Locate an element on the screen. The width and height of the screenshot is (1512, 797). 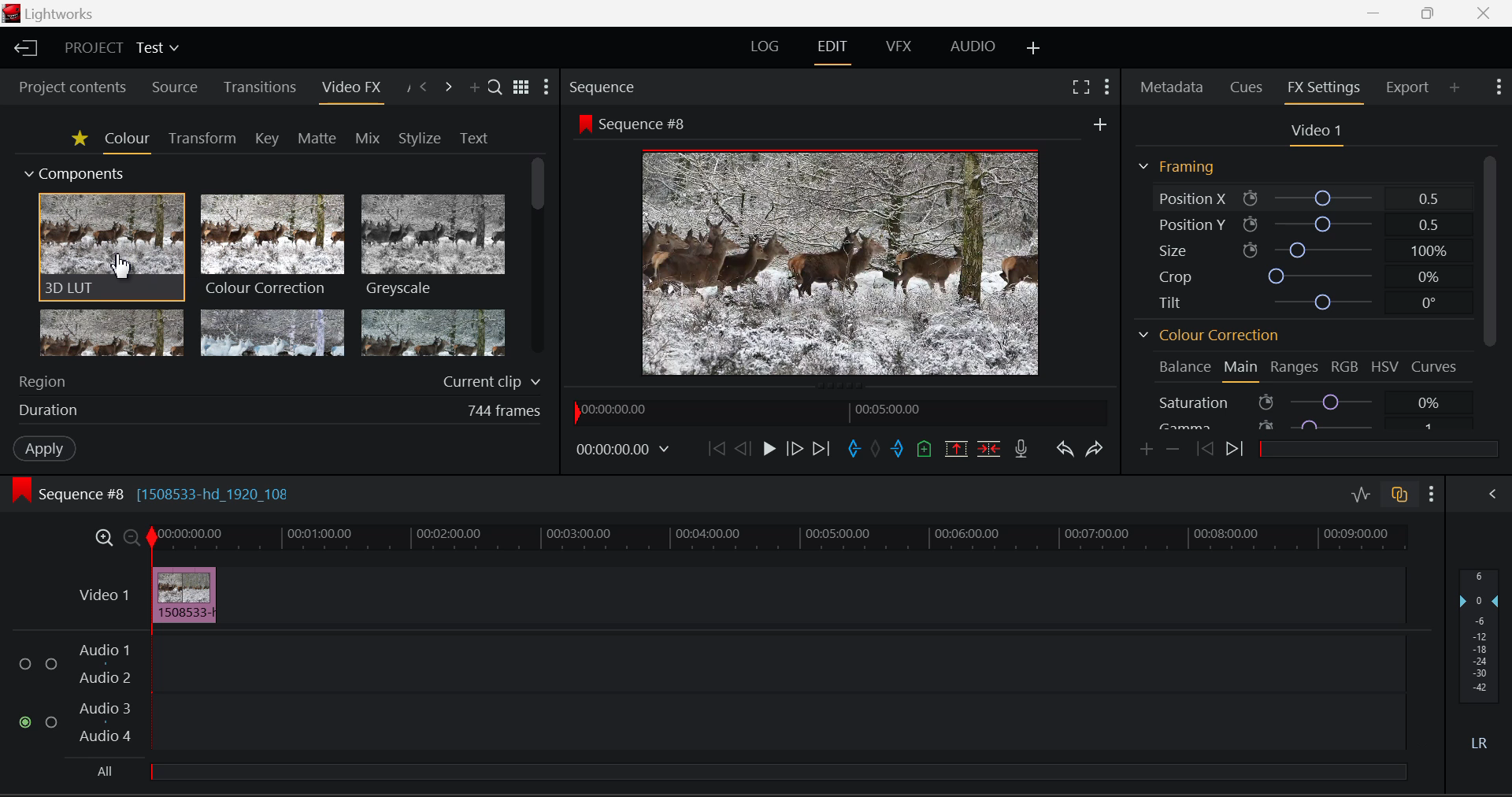
Search is located at coordinates (493, 83).